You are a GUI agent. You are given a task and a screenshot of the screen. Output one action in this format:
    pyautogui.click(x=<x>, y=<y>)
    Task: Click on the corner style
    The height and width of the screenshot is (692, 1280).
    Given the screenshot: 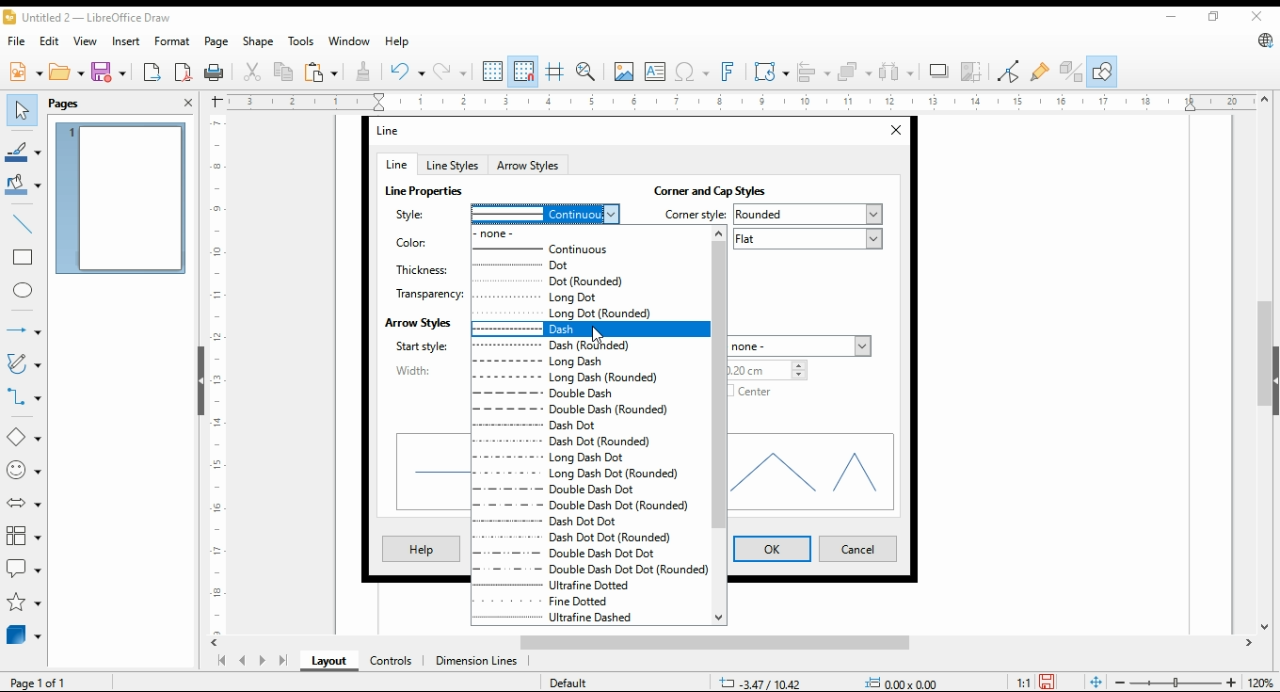 What is the action you would take?
    pyautogui.click(x=691, y=213)
    